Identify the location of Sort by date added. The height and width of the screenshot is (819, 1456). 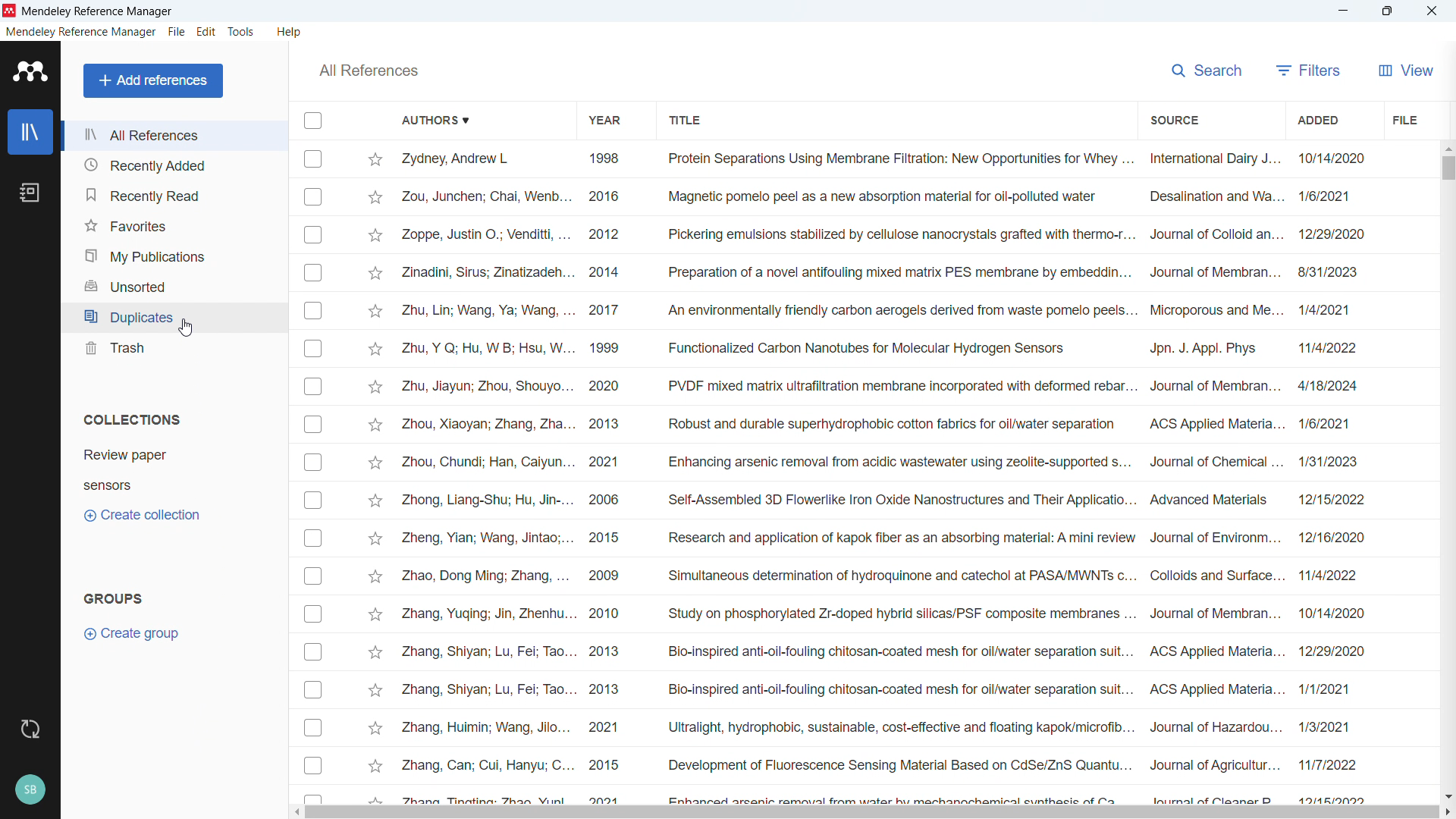
(1316, 119).